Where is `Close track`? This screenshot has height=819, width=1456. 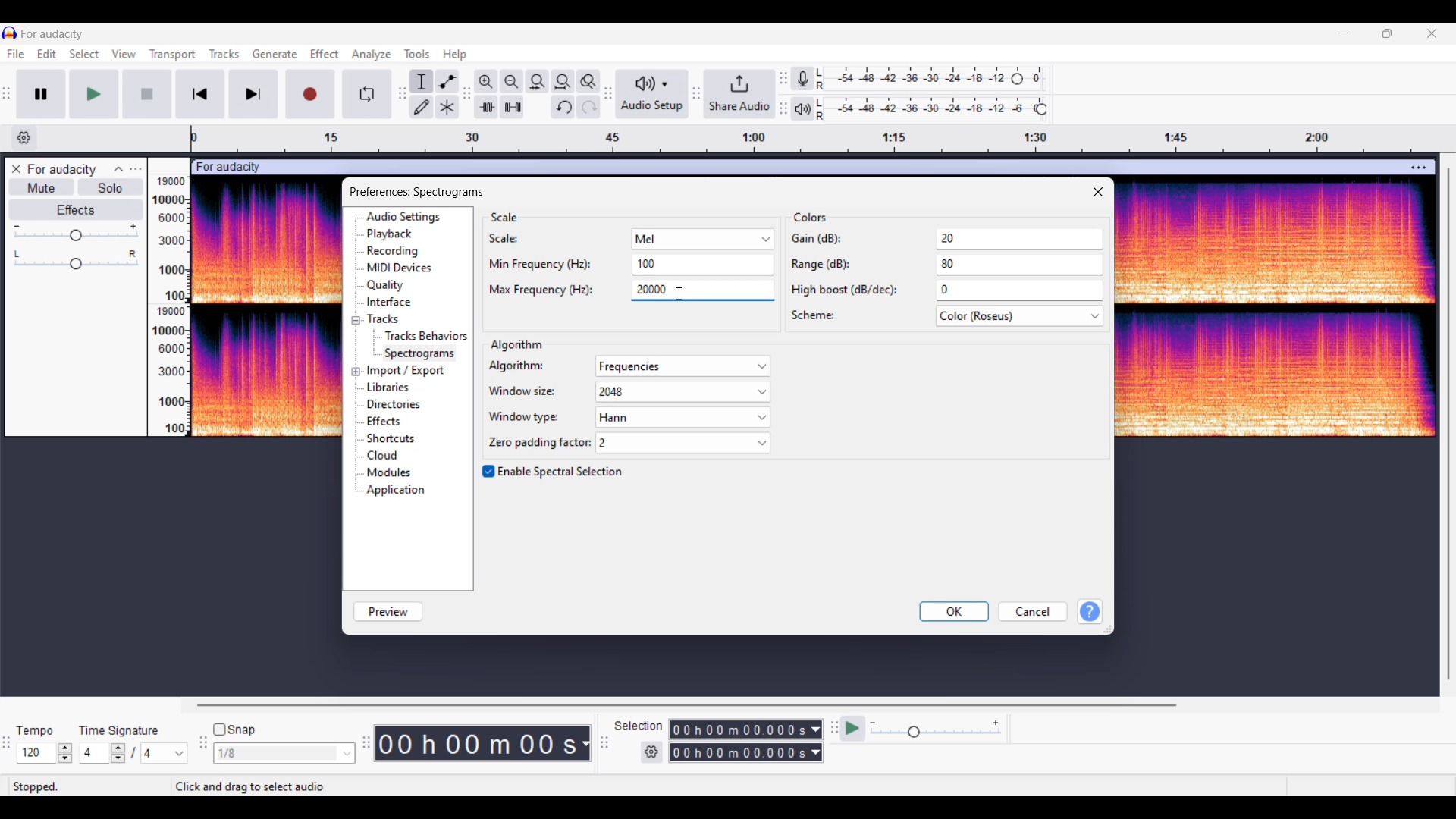 Close track is located at coordinates (16, 168).